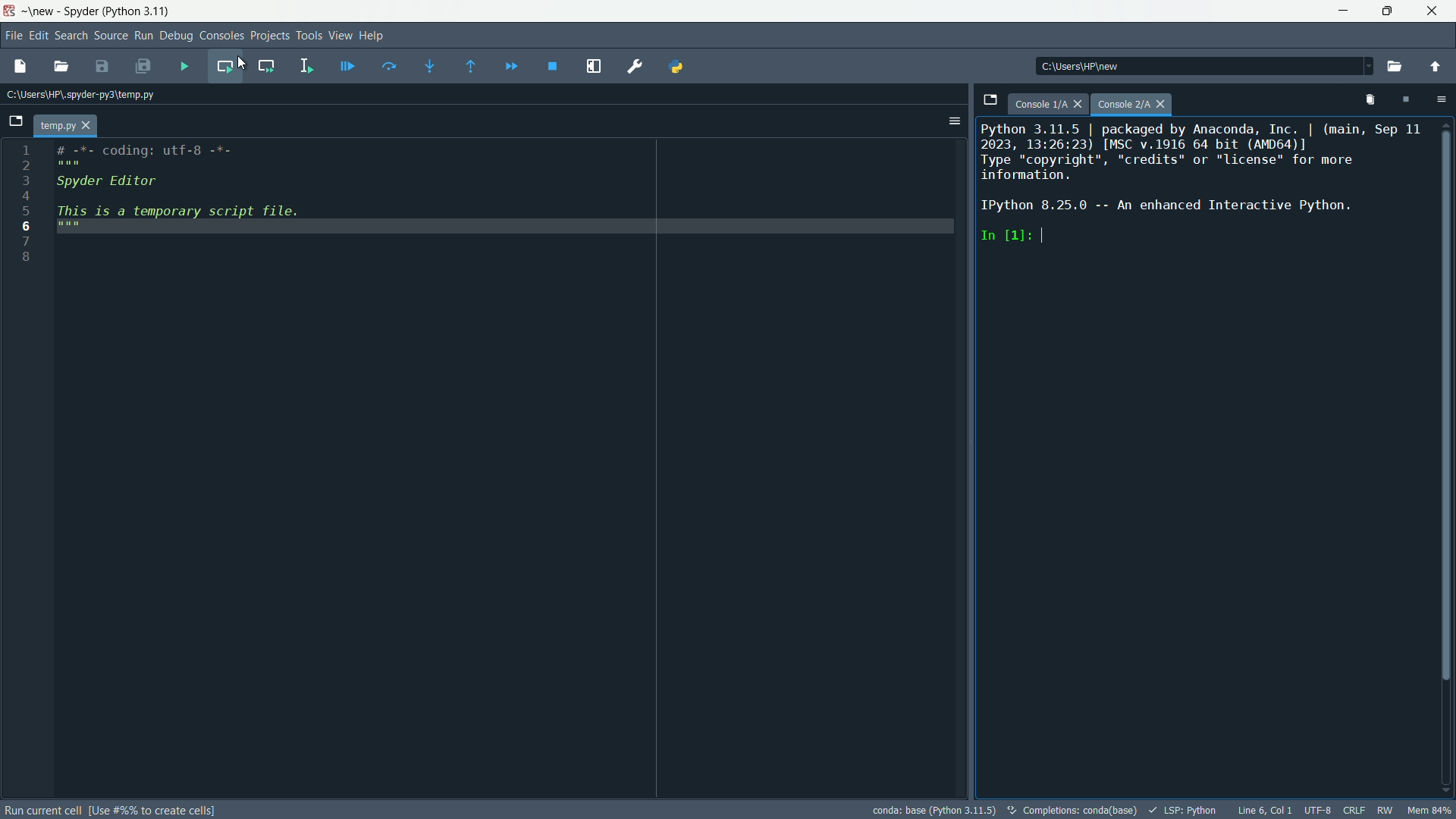 This screenshot has height=819, width=1456. Describe the element at coordinates (113, 807) in the screenshot. I see `Run Current Cell (use  #%% to create cells)` at that location.